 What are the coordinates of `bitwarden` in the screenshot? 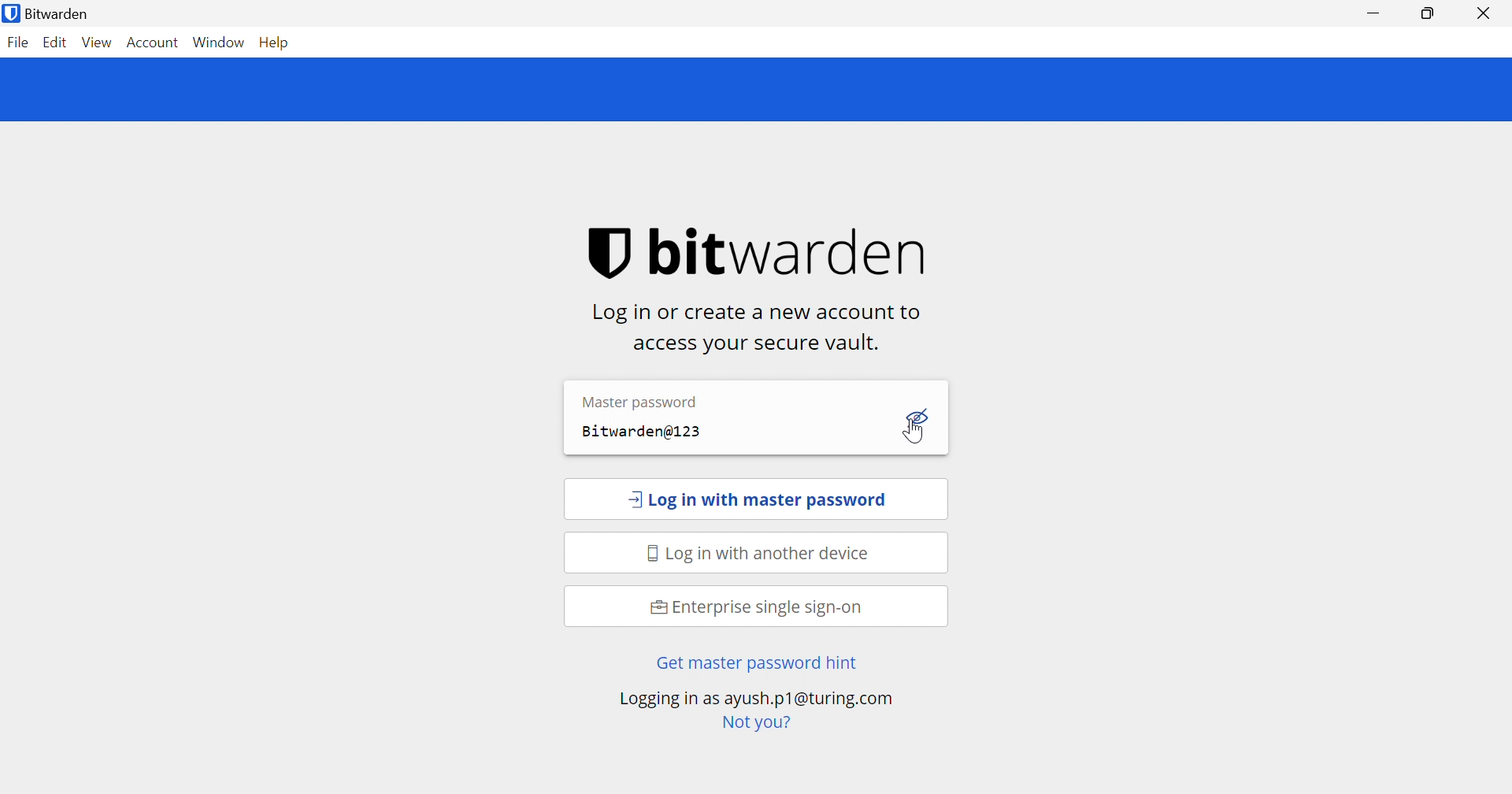 It's located at (766, 253).